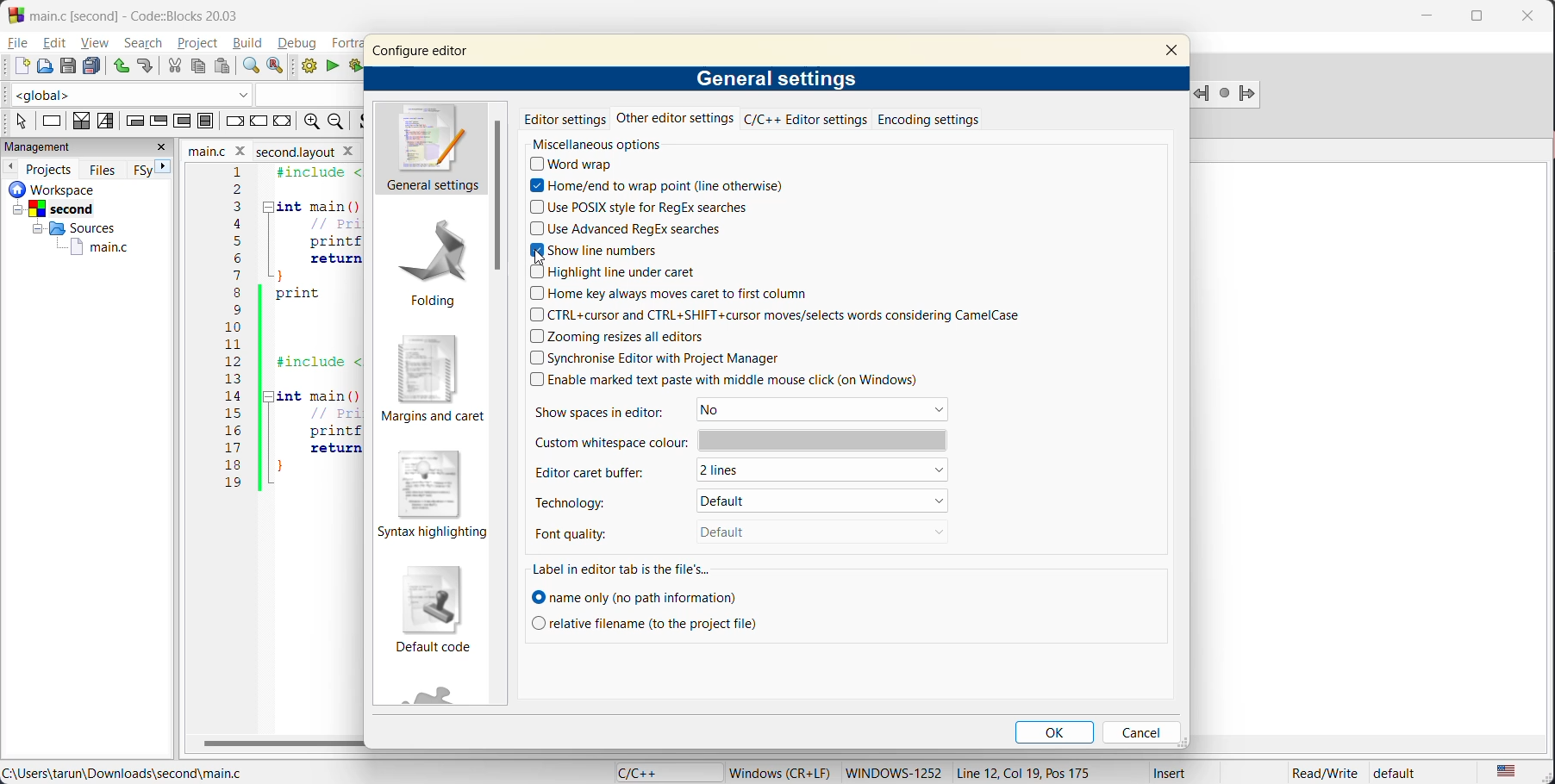 The height and width of the screenshot is (784, 1555). I want to click on Insert, so click(1172, 773).